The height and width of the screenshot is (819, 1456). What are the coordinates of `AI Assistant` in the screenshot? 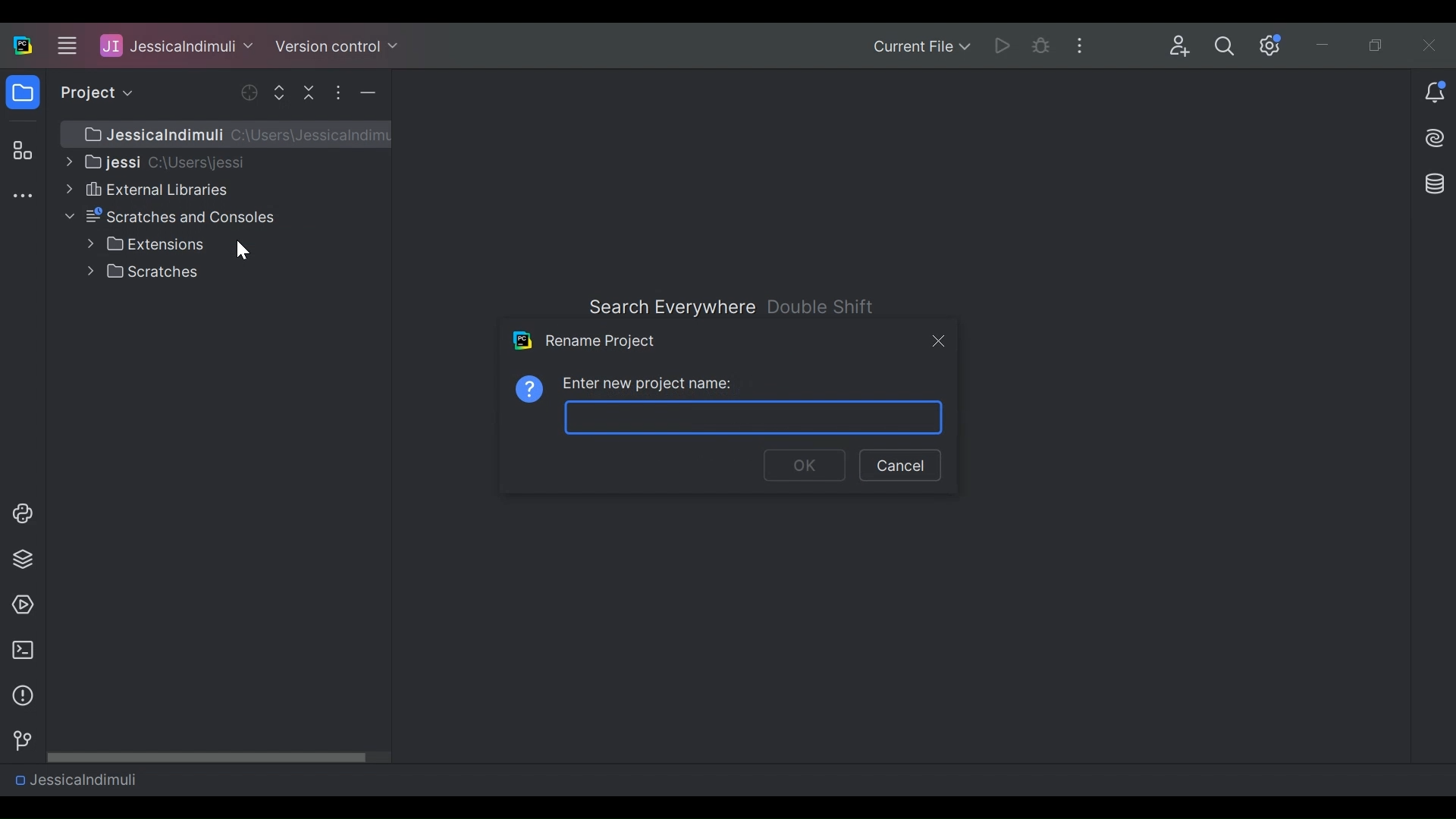 It's located at (1436, 138).